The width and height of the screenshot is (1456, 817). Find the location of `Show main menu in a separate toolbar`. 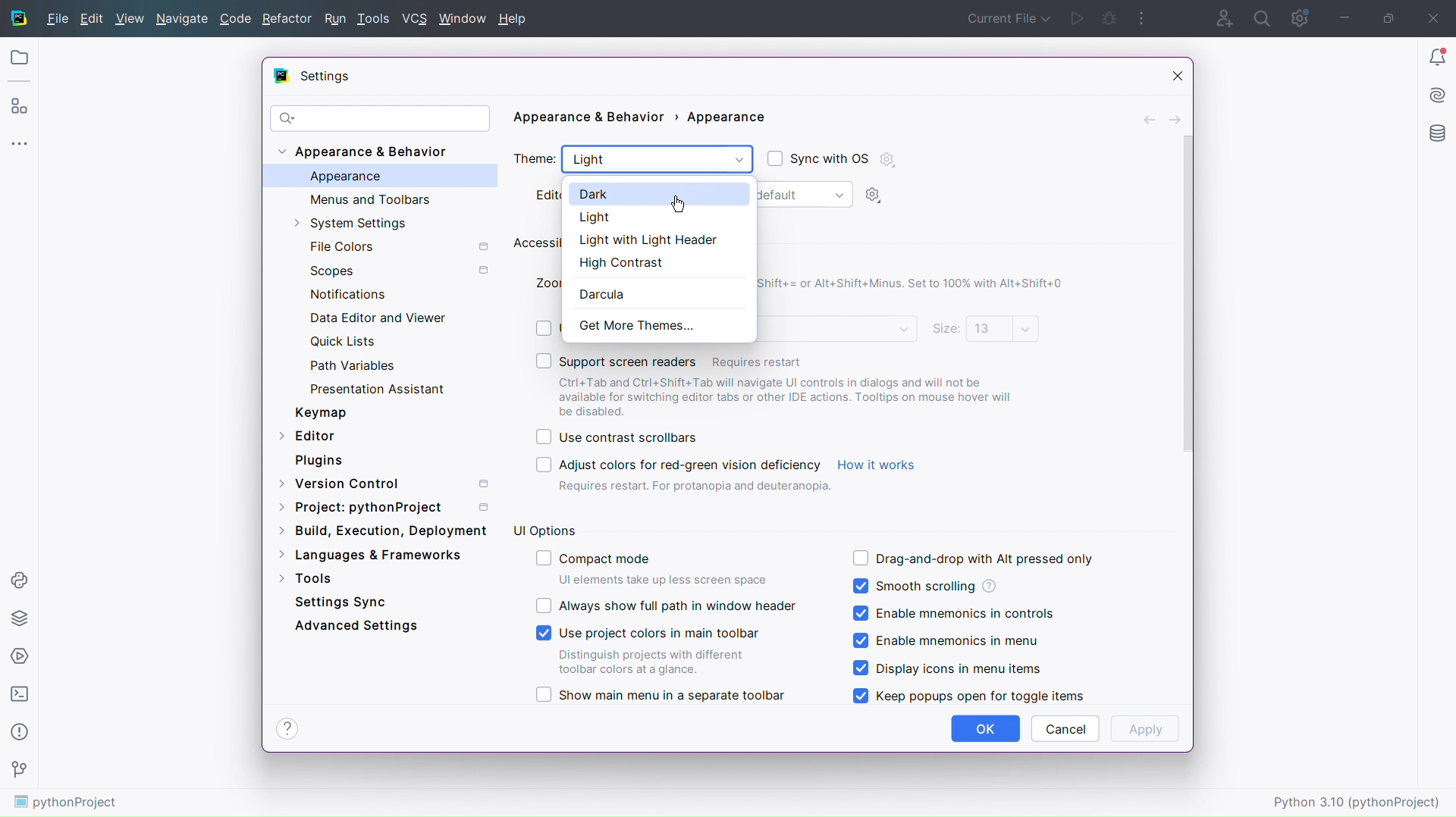

Show main menu in a separate toolbar is located at coordinates (660, 695).